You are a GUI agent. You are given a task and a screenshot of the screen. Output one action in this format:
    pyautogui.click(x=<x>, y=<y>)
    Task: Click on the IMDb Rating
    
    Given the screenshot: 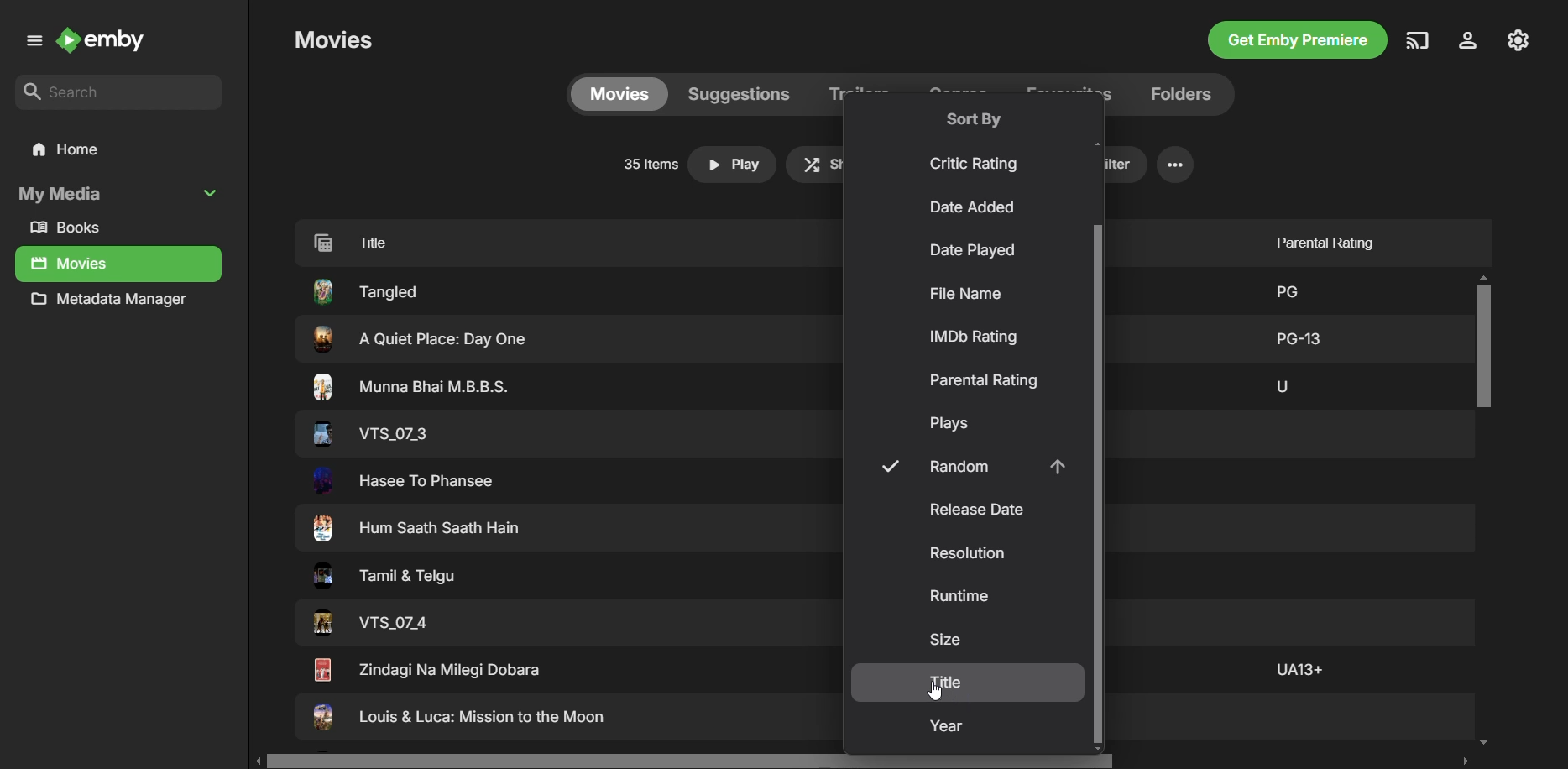 What is the action you would take?
    pyautogui.click(x=976, y=337)
    